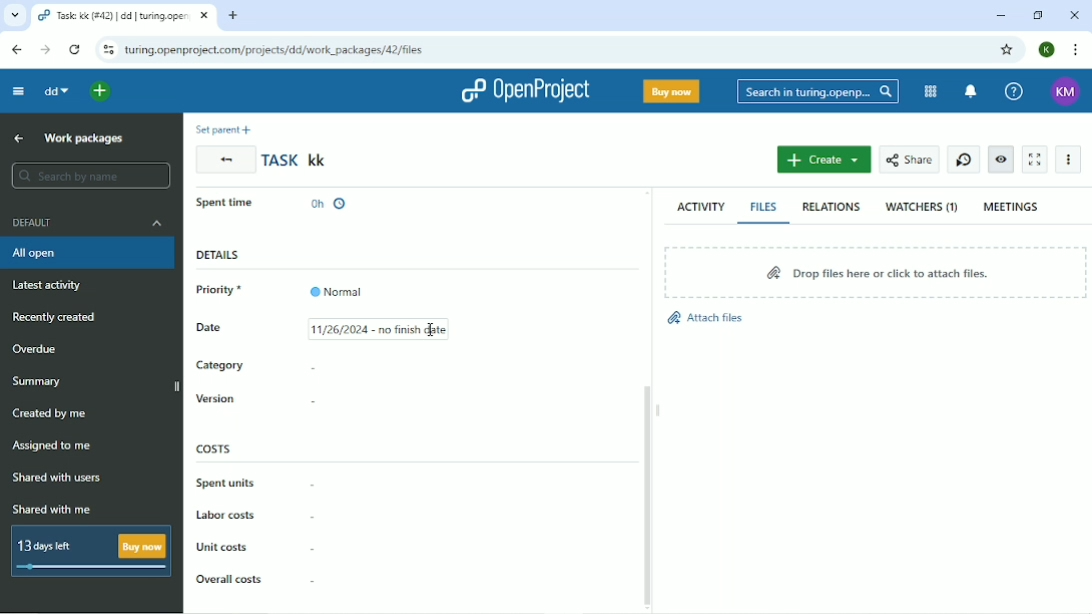  What do you see at coordinates (816, 93) in the screenshot?
I see `Search in turing.openprojects.com` at bounding box center [816, 93].